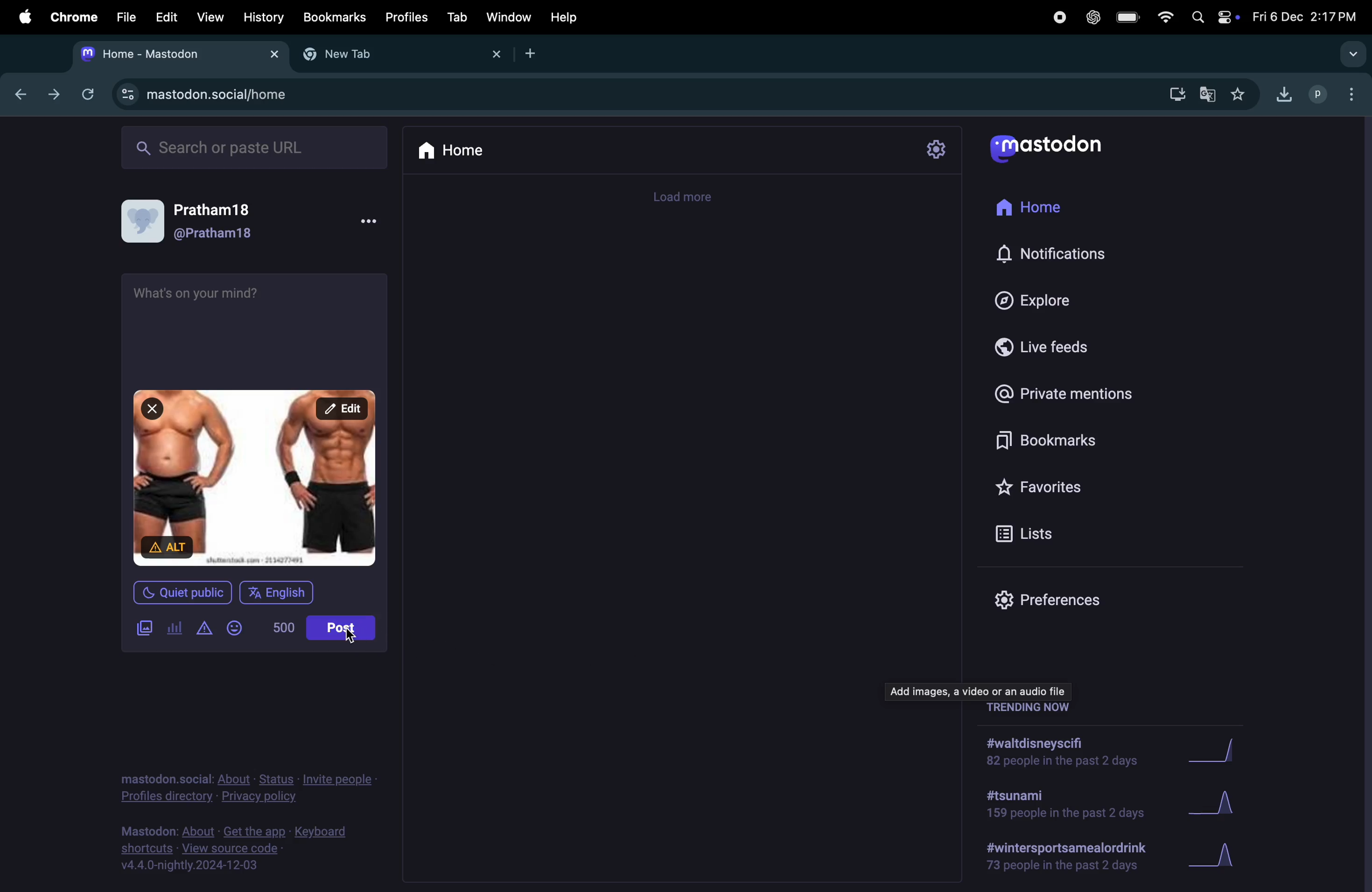  Describe the element at coordinates (54, 94) in the screenshot. I see `forward` at that location.